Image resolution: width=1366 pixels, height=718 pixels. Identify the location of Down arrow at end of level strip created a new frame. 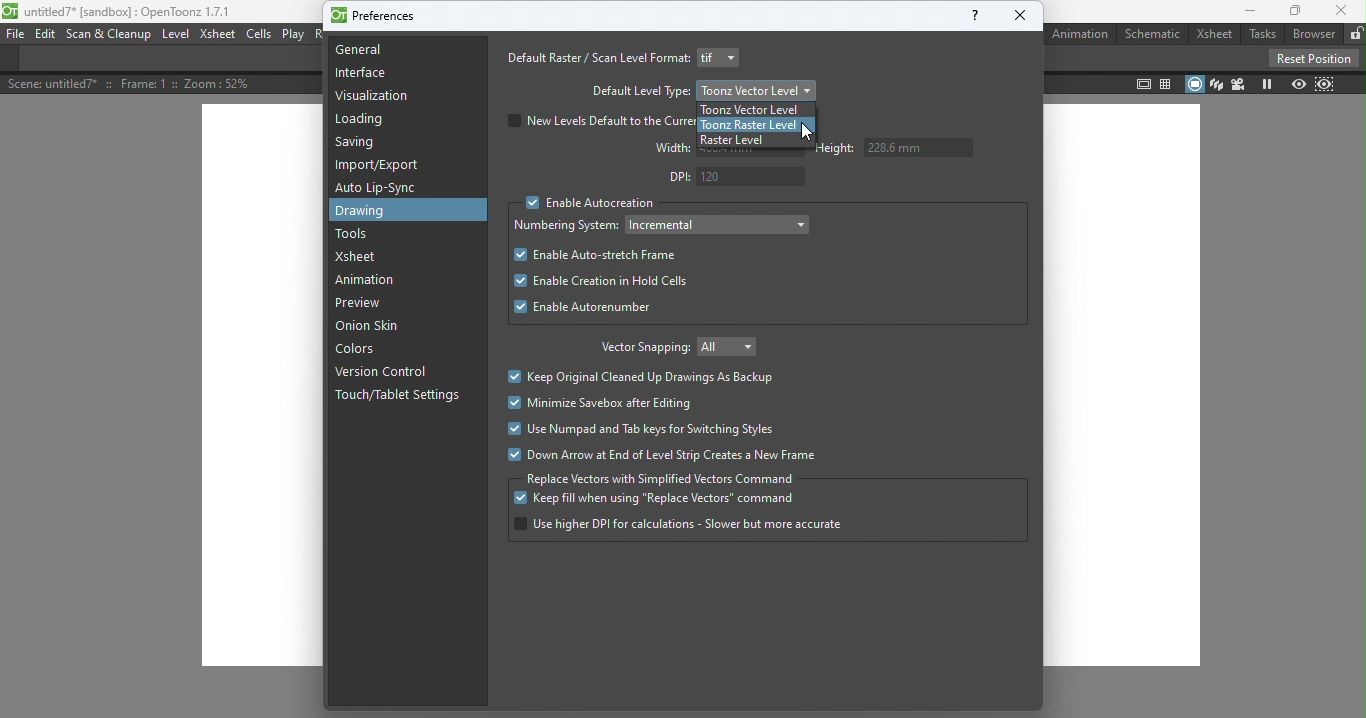
(675, 455).